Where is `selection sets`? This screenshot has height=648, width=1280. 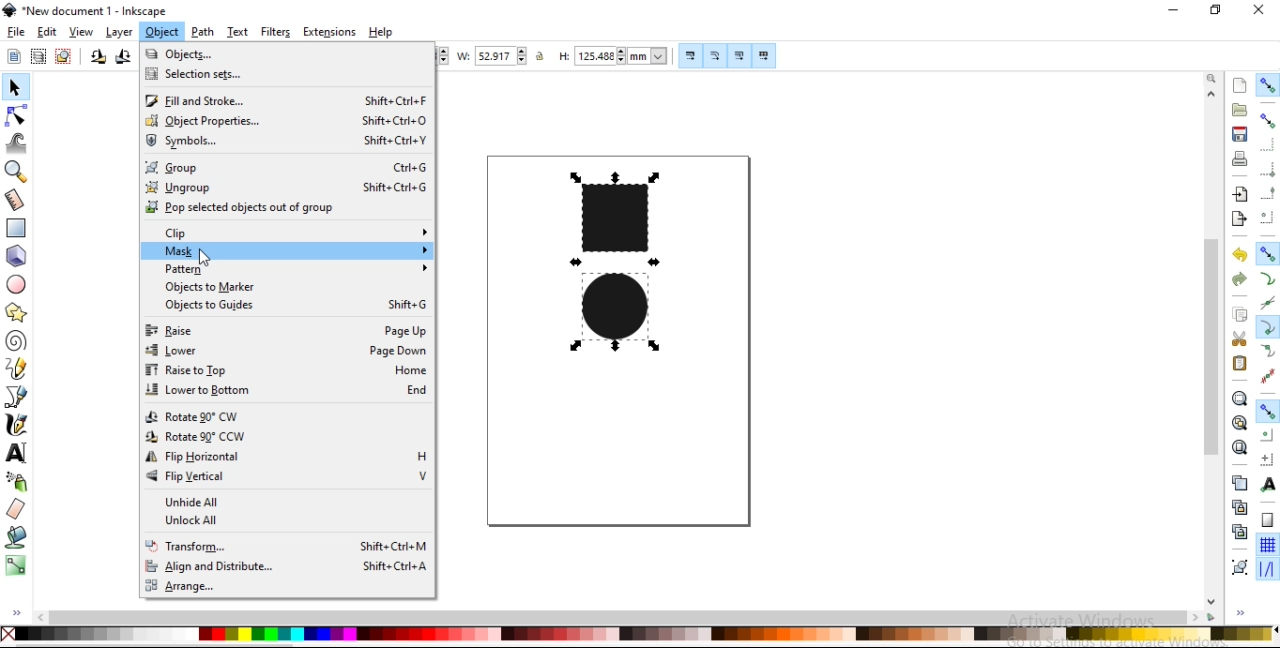
selection sets is located at coordinates (271, 75).